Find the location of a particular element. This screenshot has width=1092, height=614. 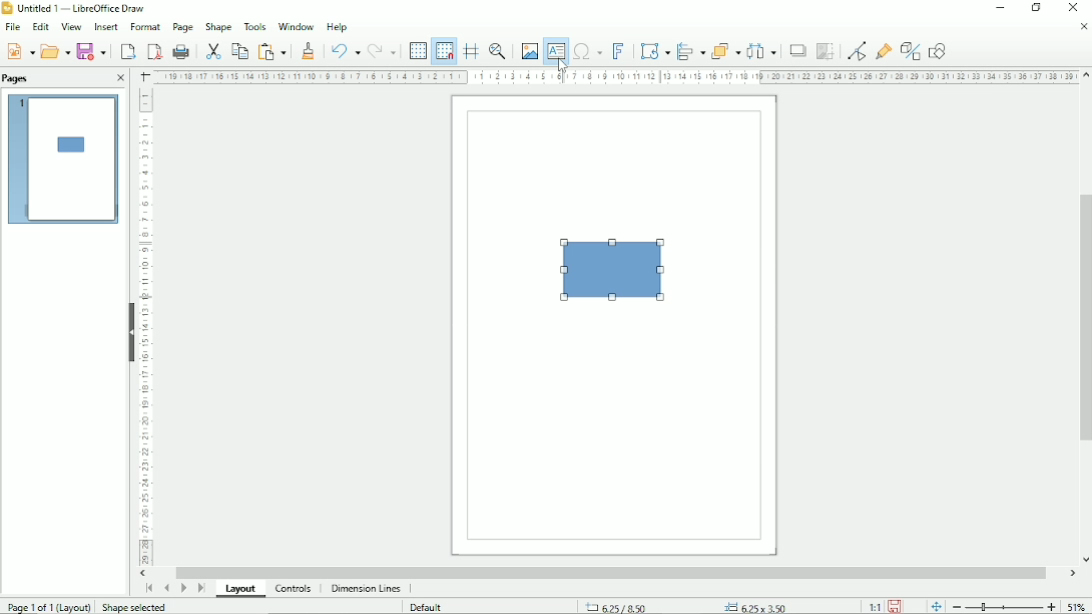

fit page to current window is located at coordinates (936, 607).